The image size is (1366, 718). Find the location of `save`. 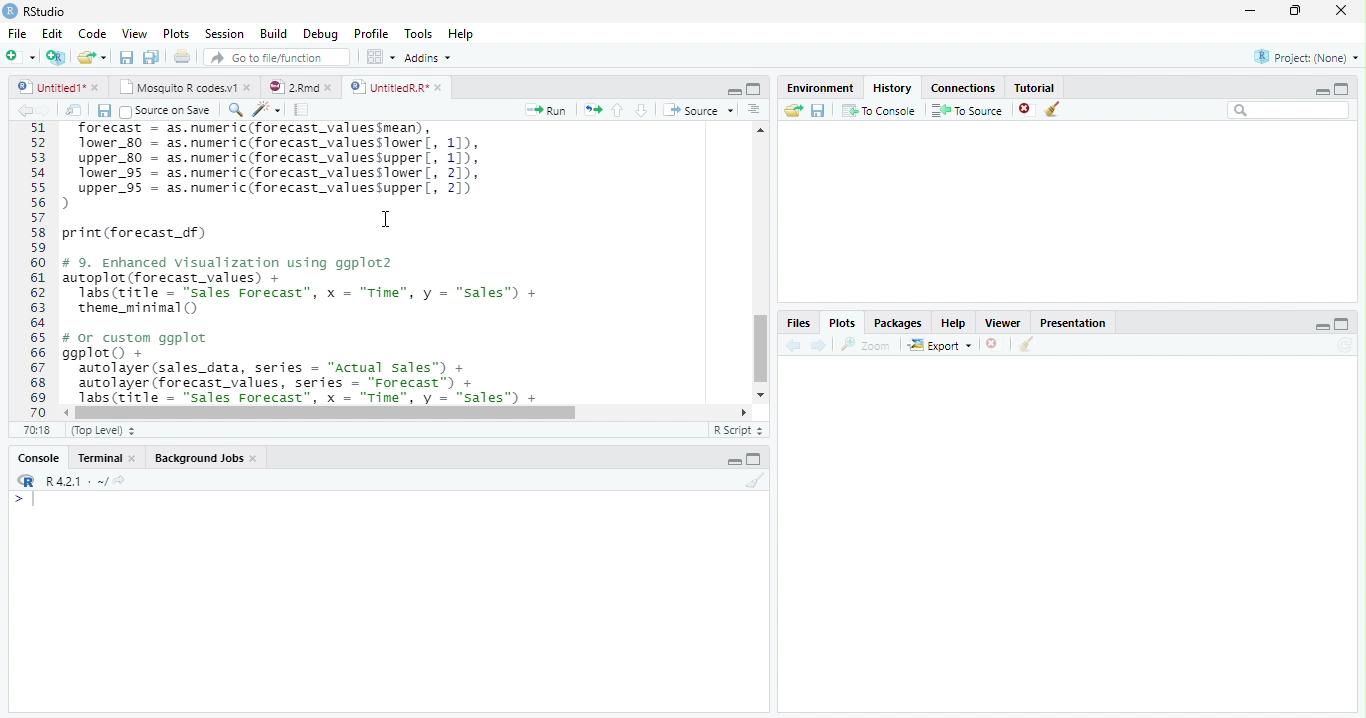

save is located at coordinates (818, 110).